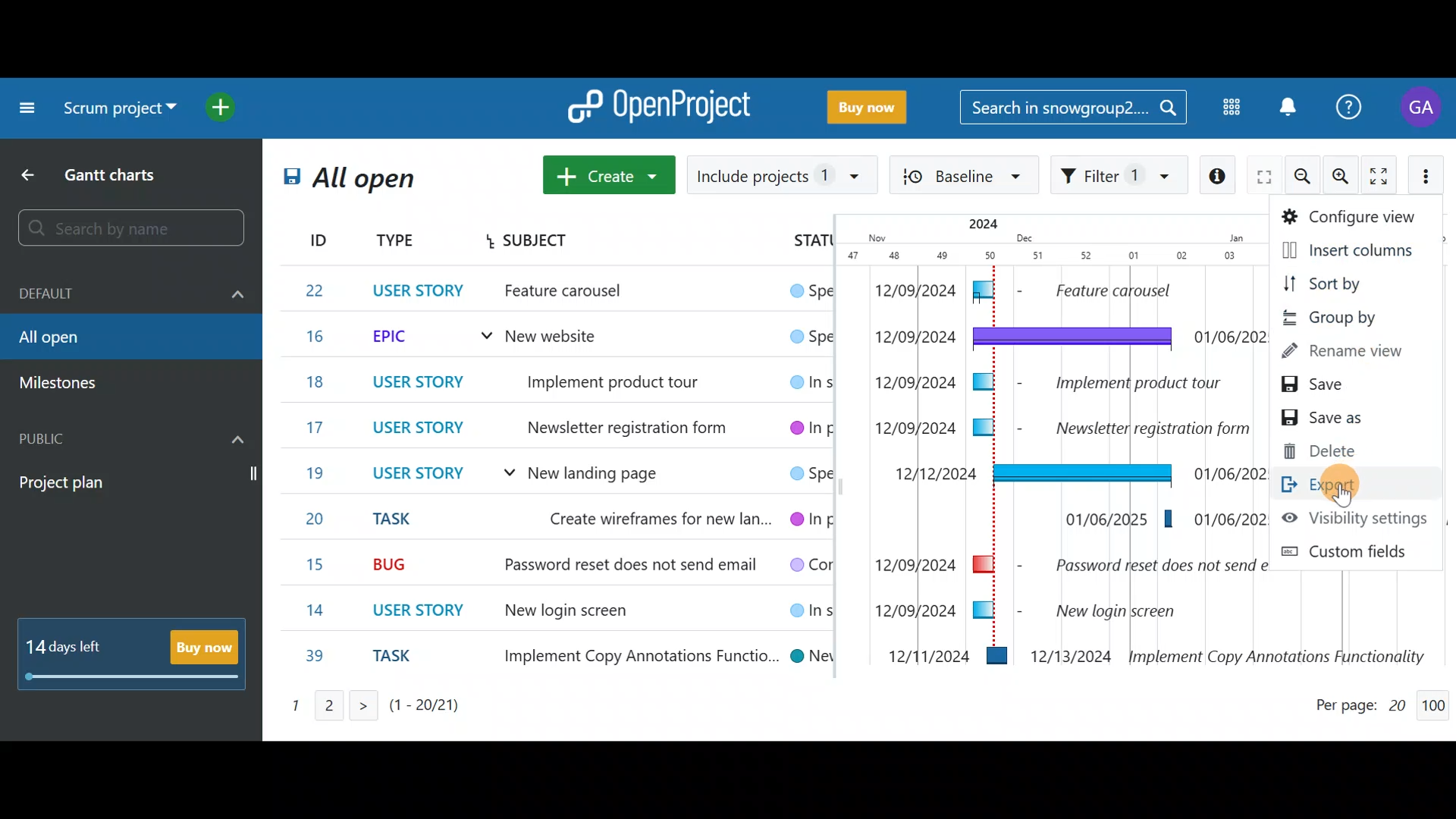 The height and width of the screenshot is (819, 1456). What do you see at coordinates (306, 237) in the screenshot?
I see `ID` at bounding box center [306, 237].